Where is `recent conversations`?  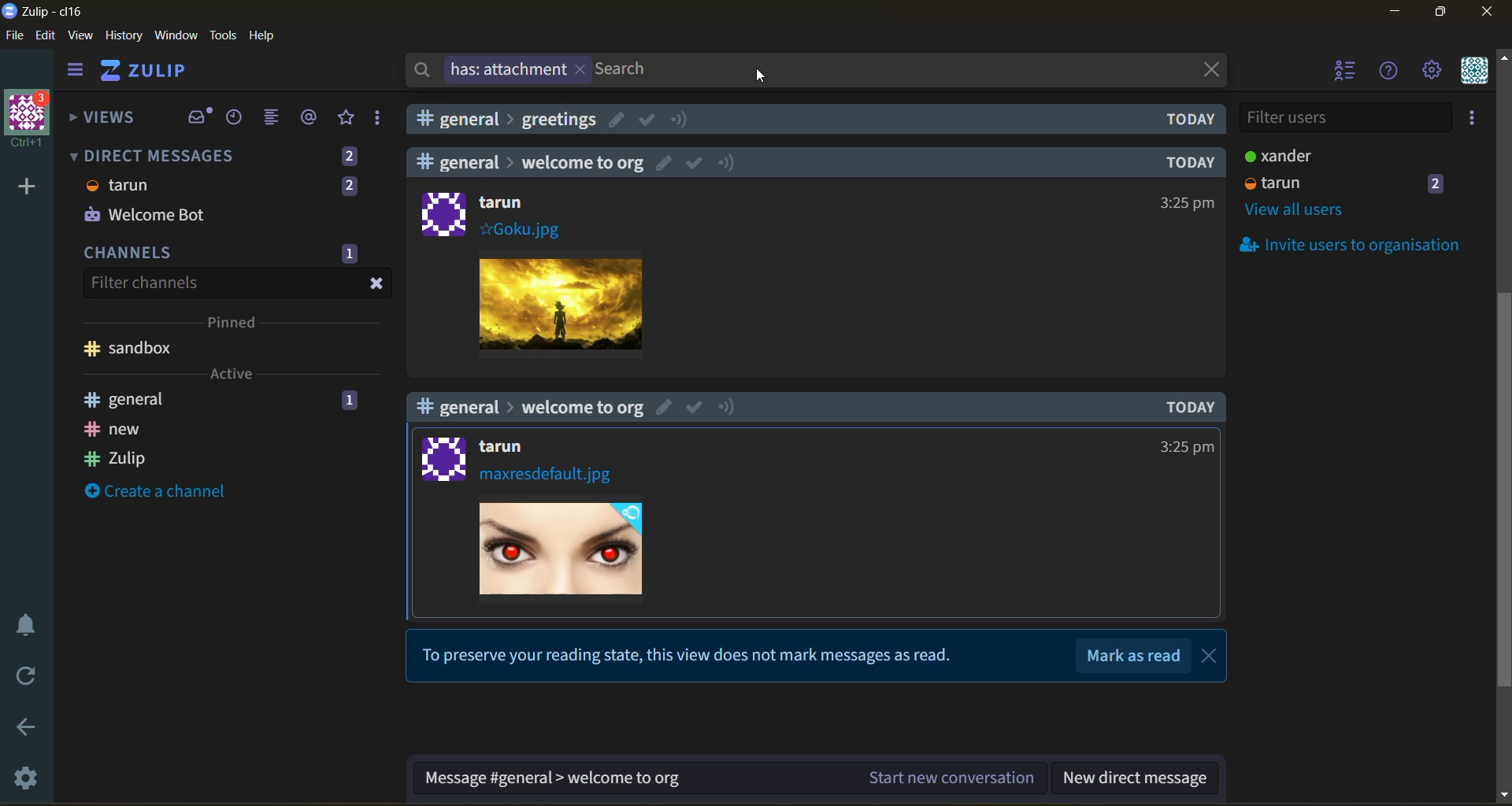 recent conversations is located at coordinates (235, 118).